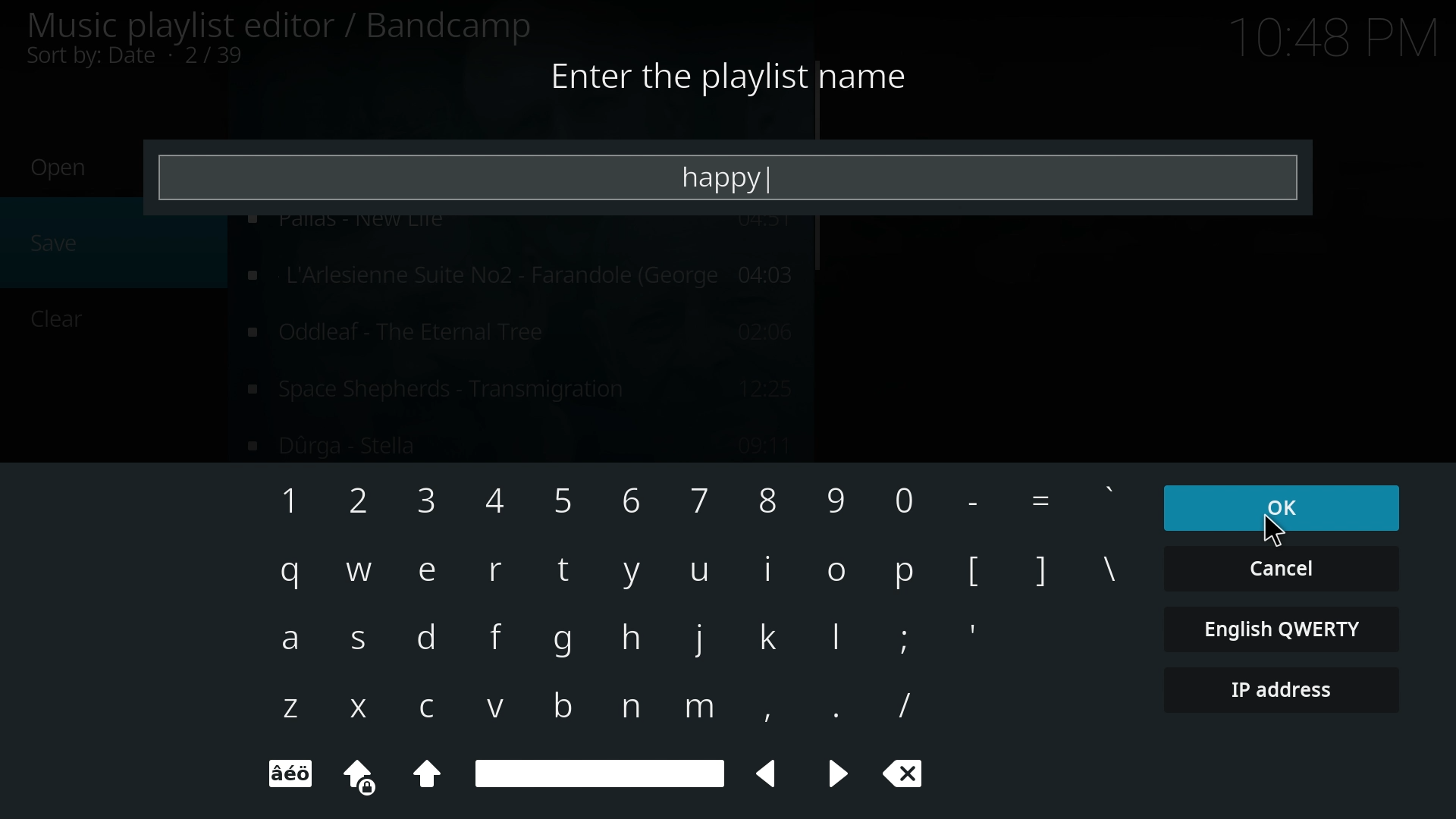  I want to click on english qwerty, so click(1285, 629).